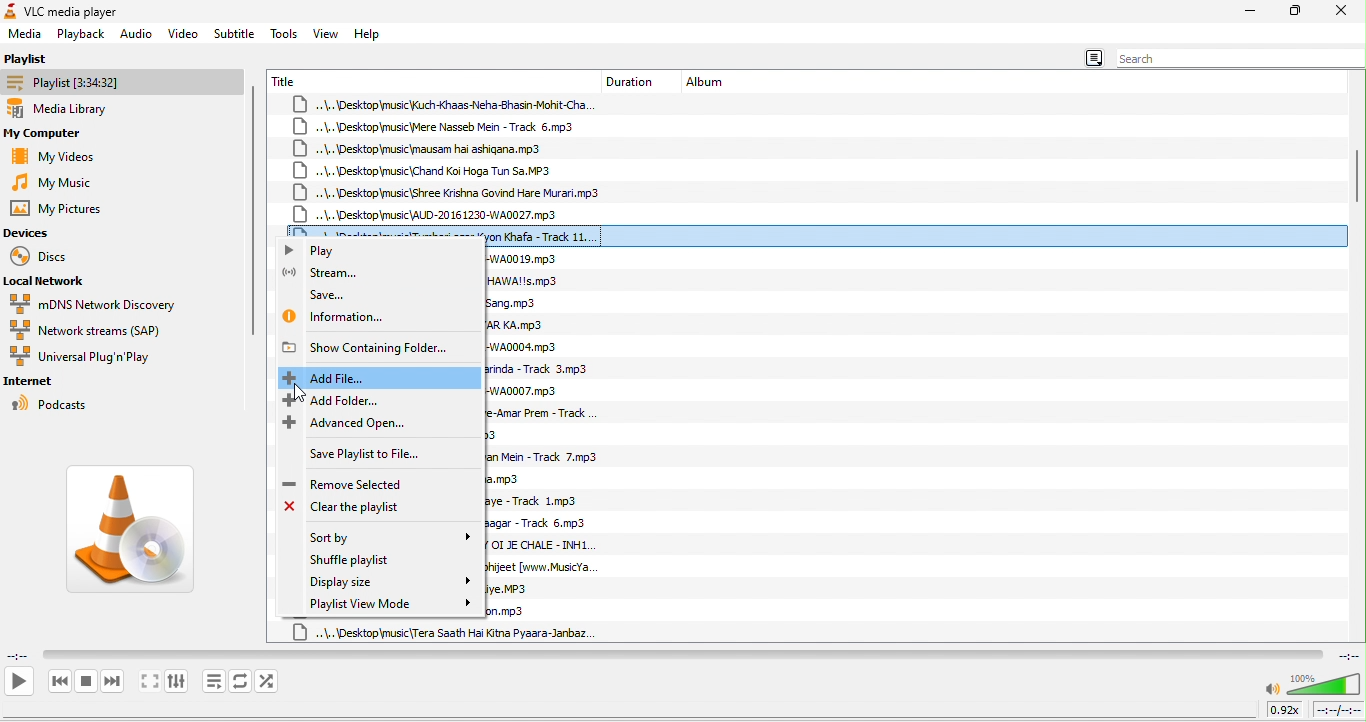 Image resolution: width=1366 pixels, height=722 pixels. What do you see at coordinates (73, 110) in the screenshot?
I see `media library` at bounding box center [73, 110].